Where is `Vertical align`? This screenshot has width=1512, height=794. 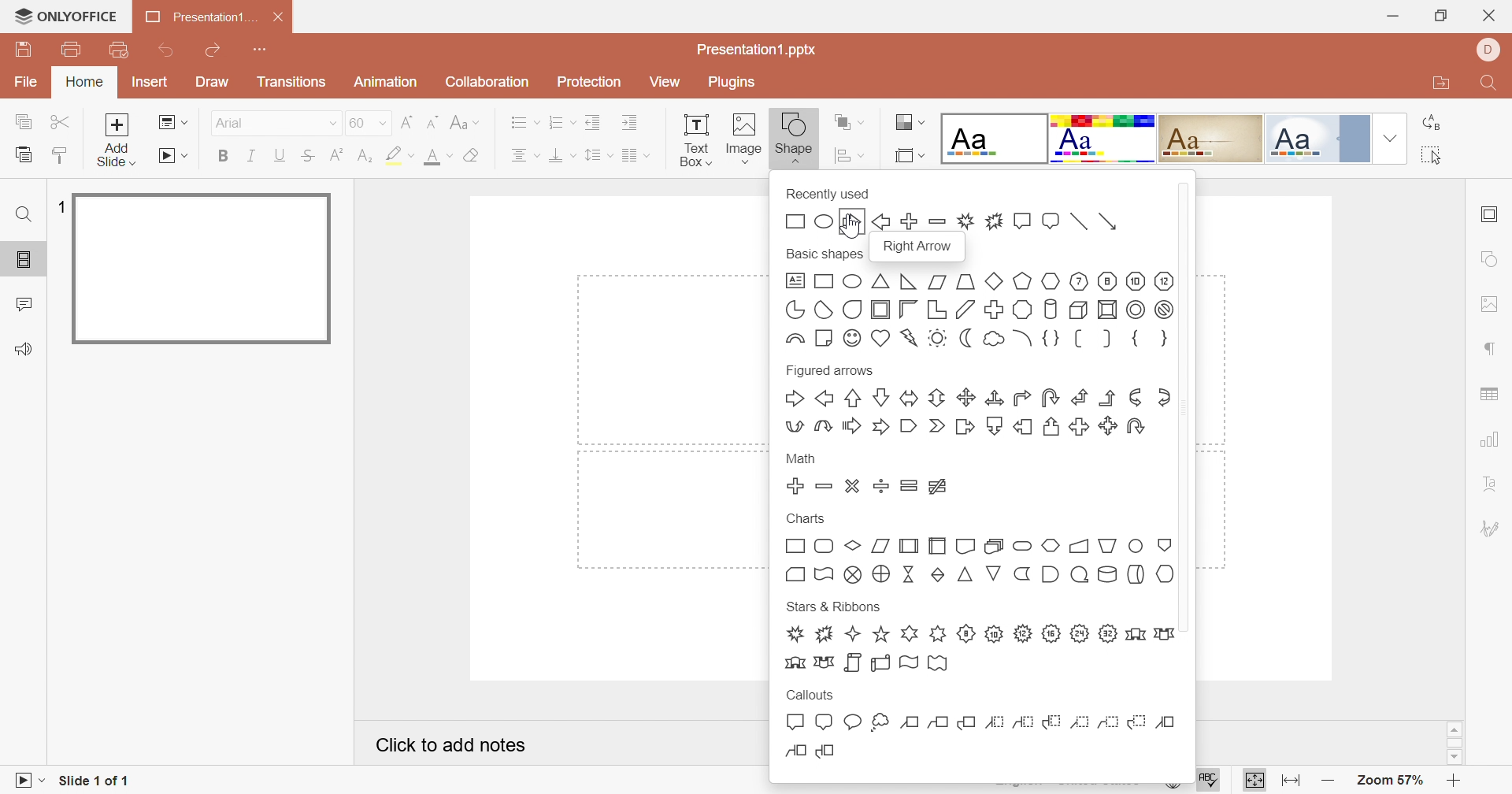 Vertical align is located at coordinates (562, 155).